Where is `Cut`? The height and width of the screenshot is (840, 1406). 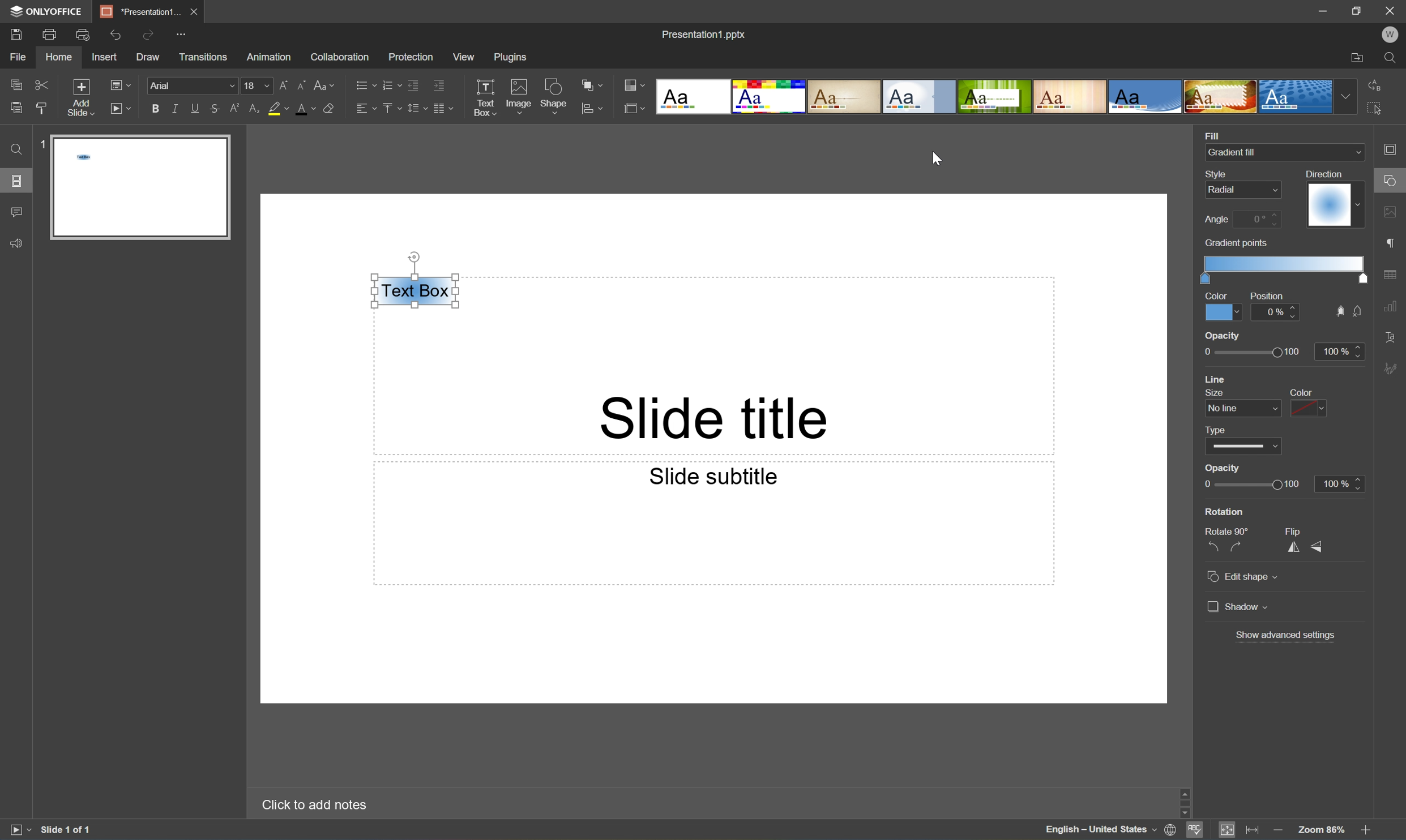
Cut is located at coordinates (43, 84).